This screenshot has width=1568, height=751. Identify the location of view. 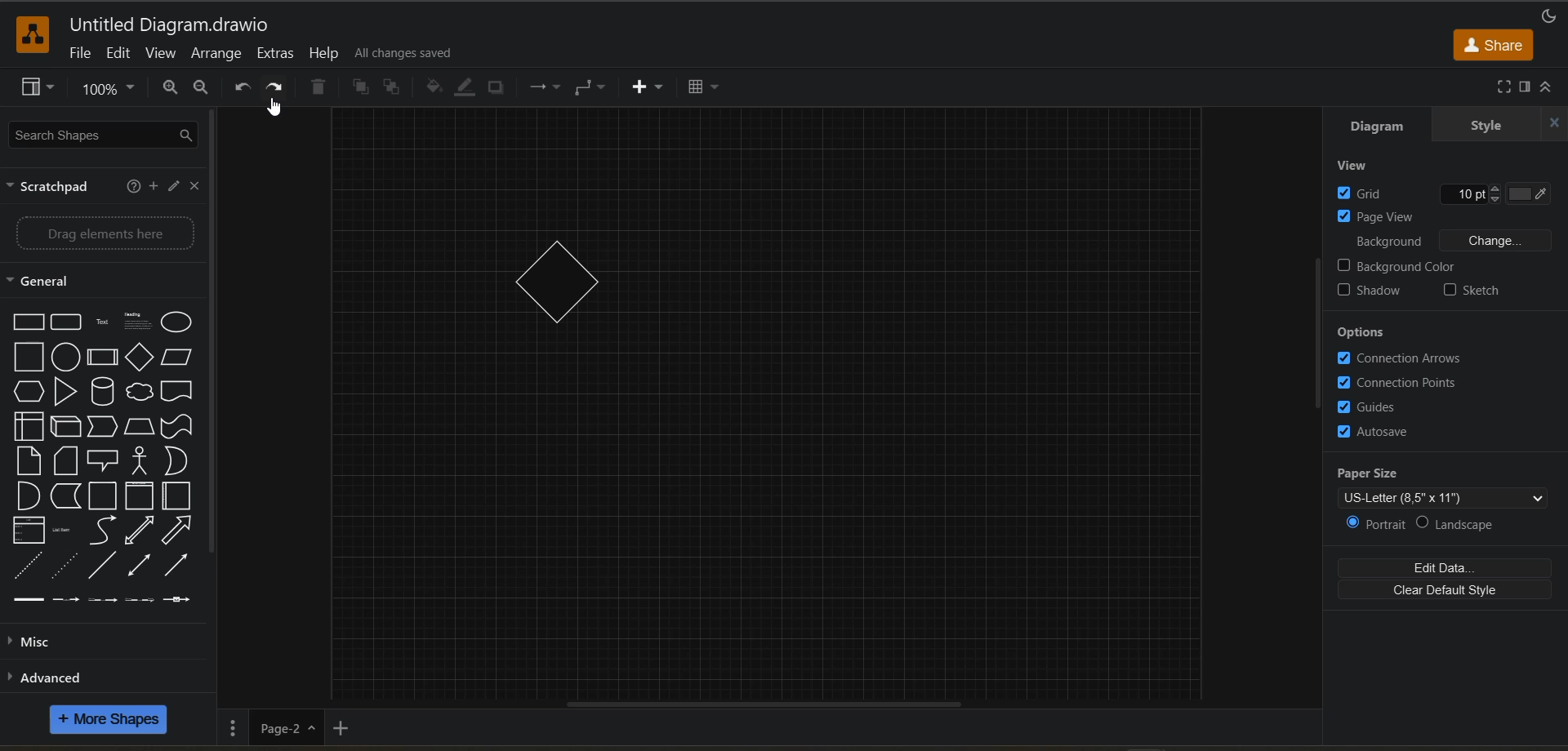
(42, 89).